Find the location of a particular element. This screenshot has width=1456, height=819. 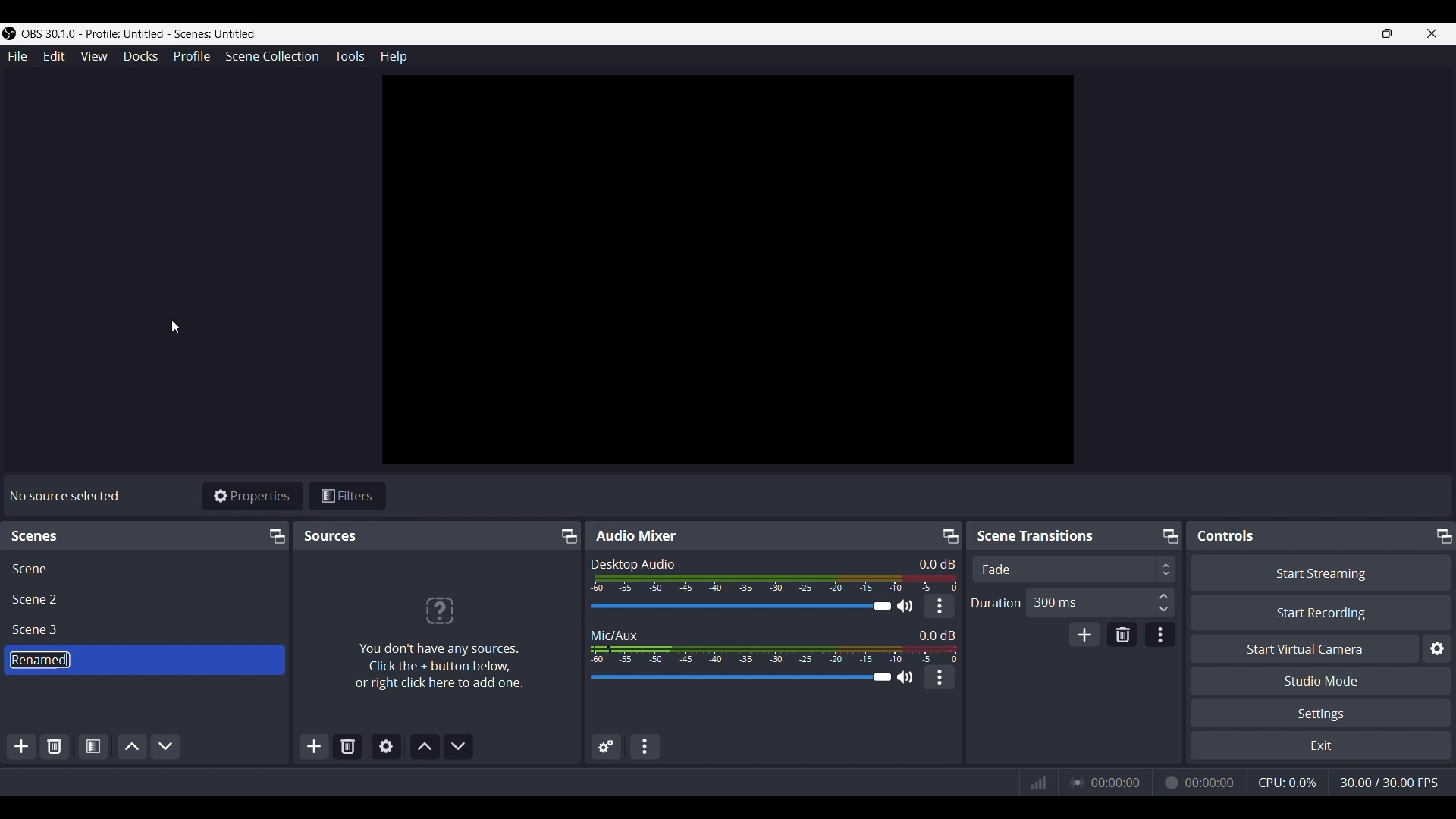

Open scene filters is located at coordinates (92, 745).